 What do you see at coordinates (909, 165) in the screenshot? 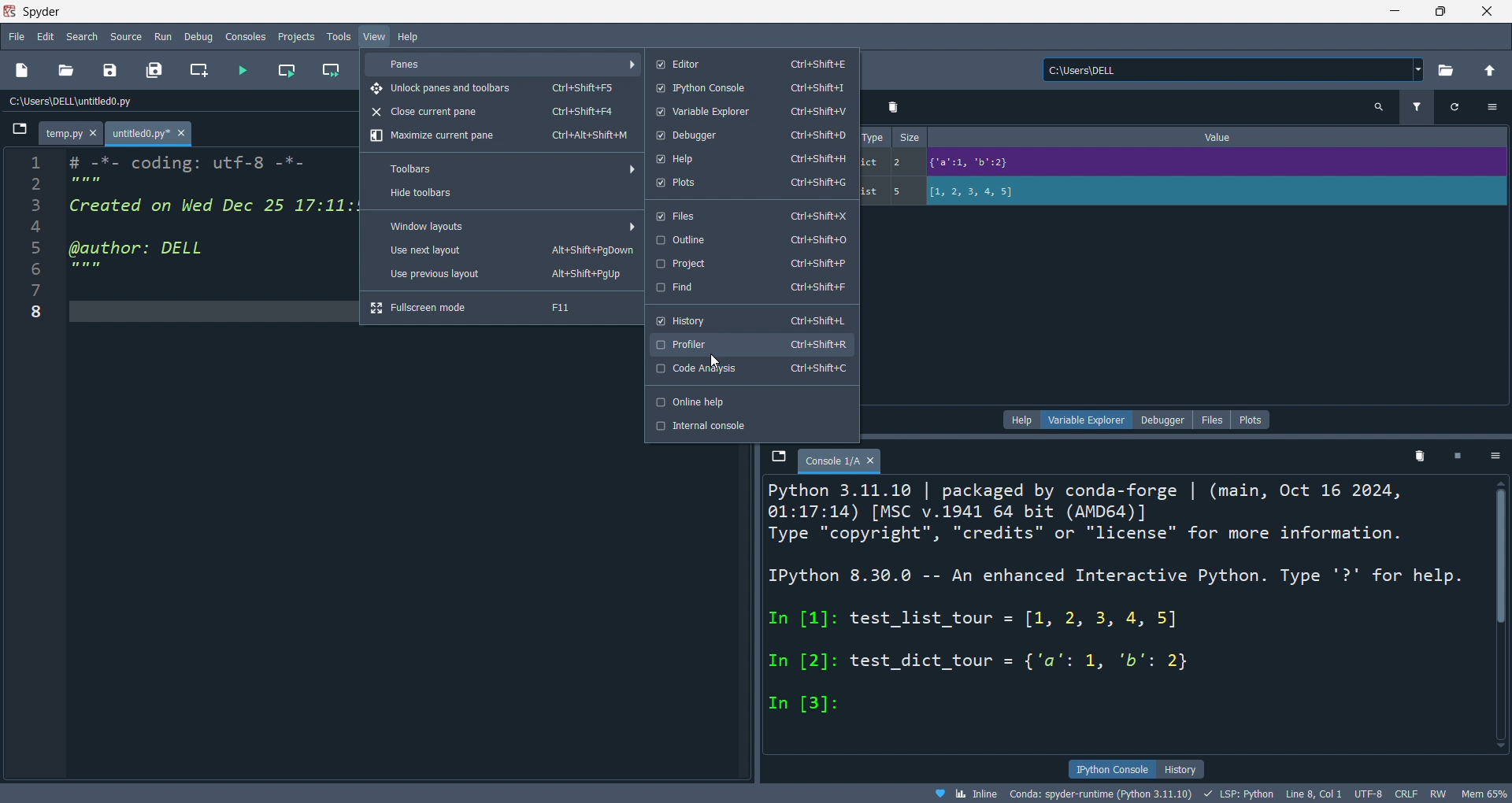
I see `size` at bounding box center [909, 165].